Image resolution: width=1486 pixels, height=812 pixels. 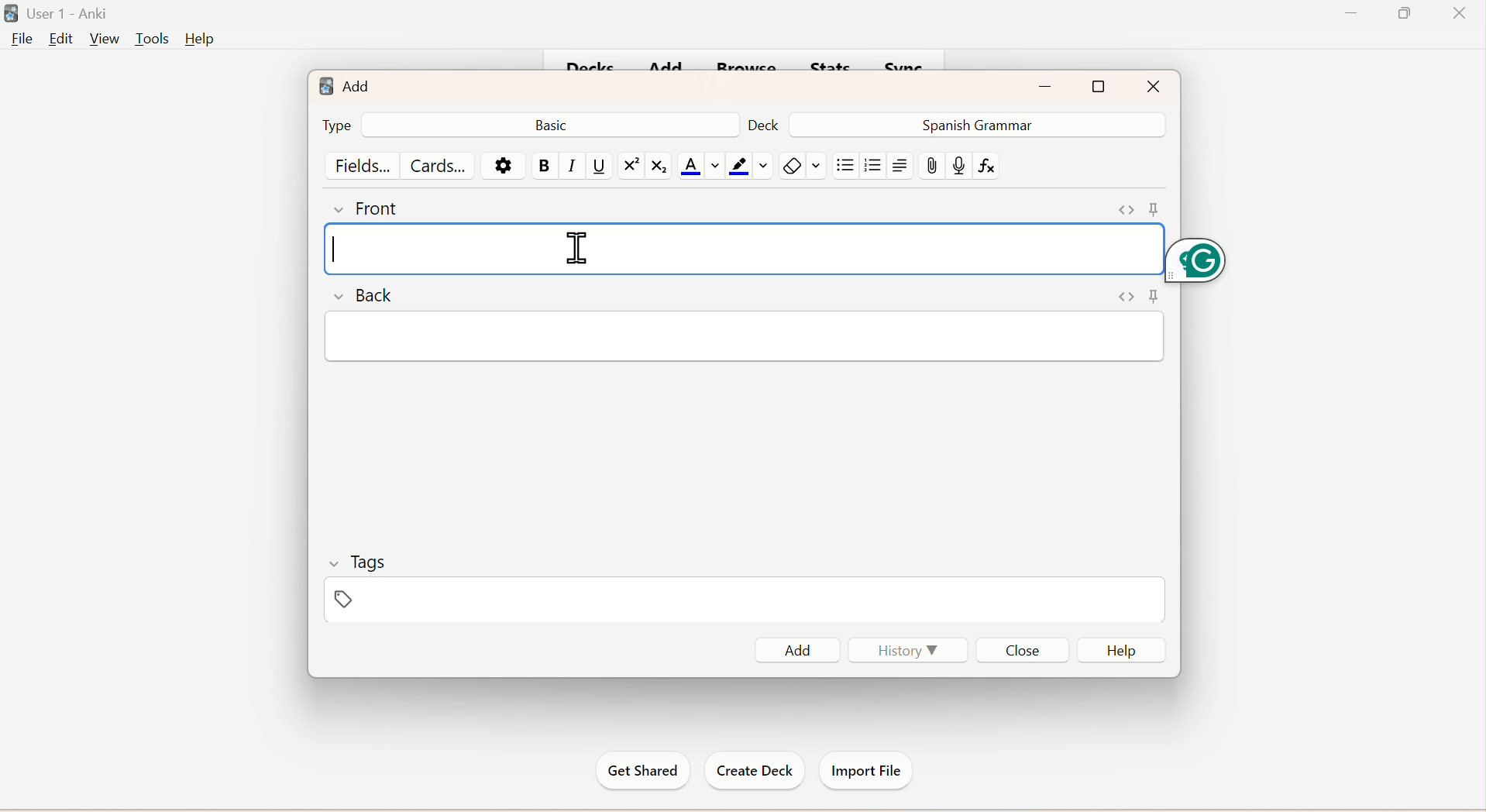 What do you see at coordinates (335, 125) in the screenshot?
I see `Type` at bounding box center [335, 125].